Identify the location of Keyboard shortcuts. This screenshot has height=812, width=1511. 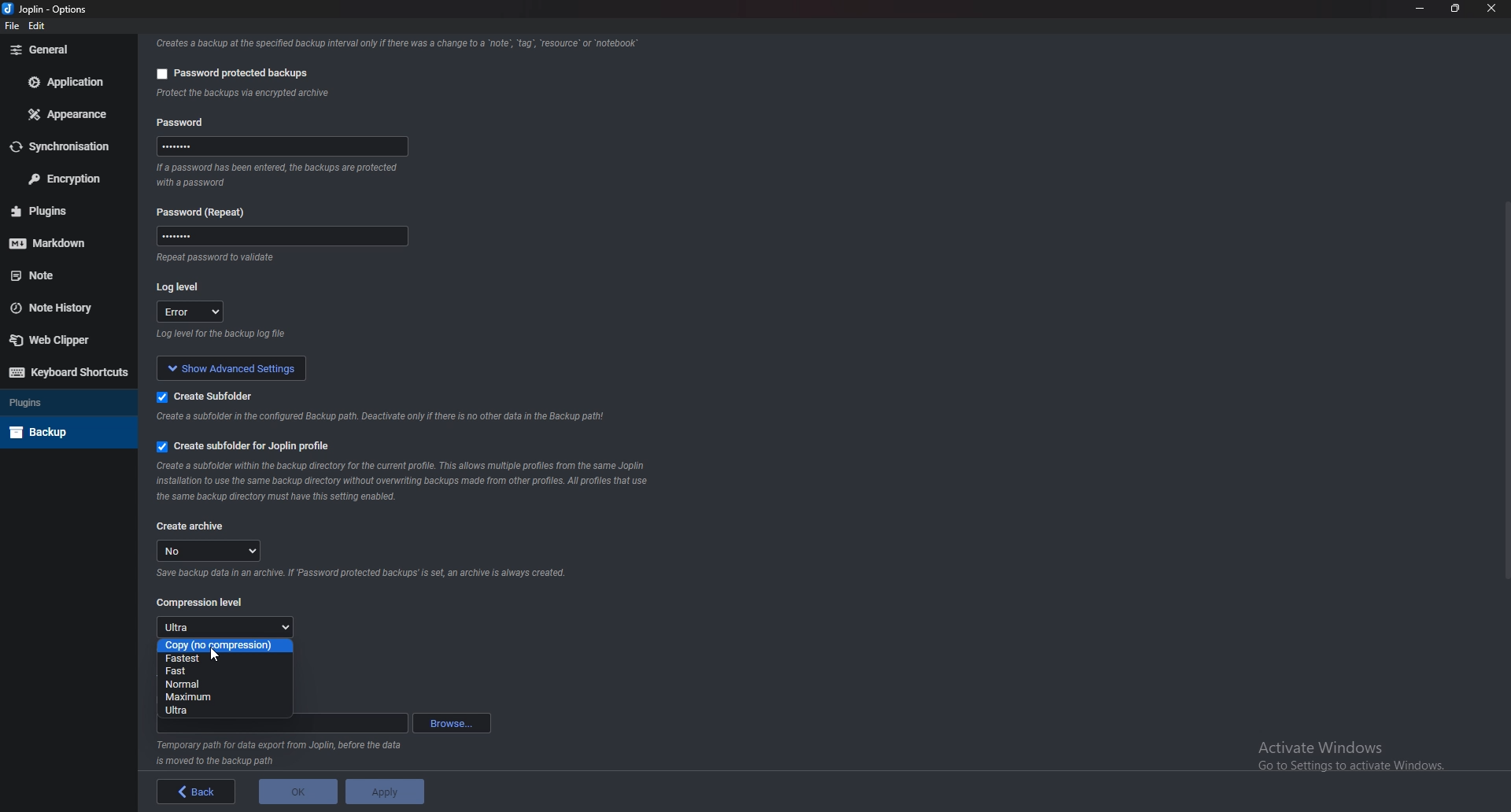
(65, 373).